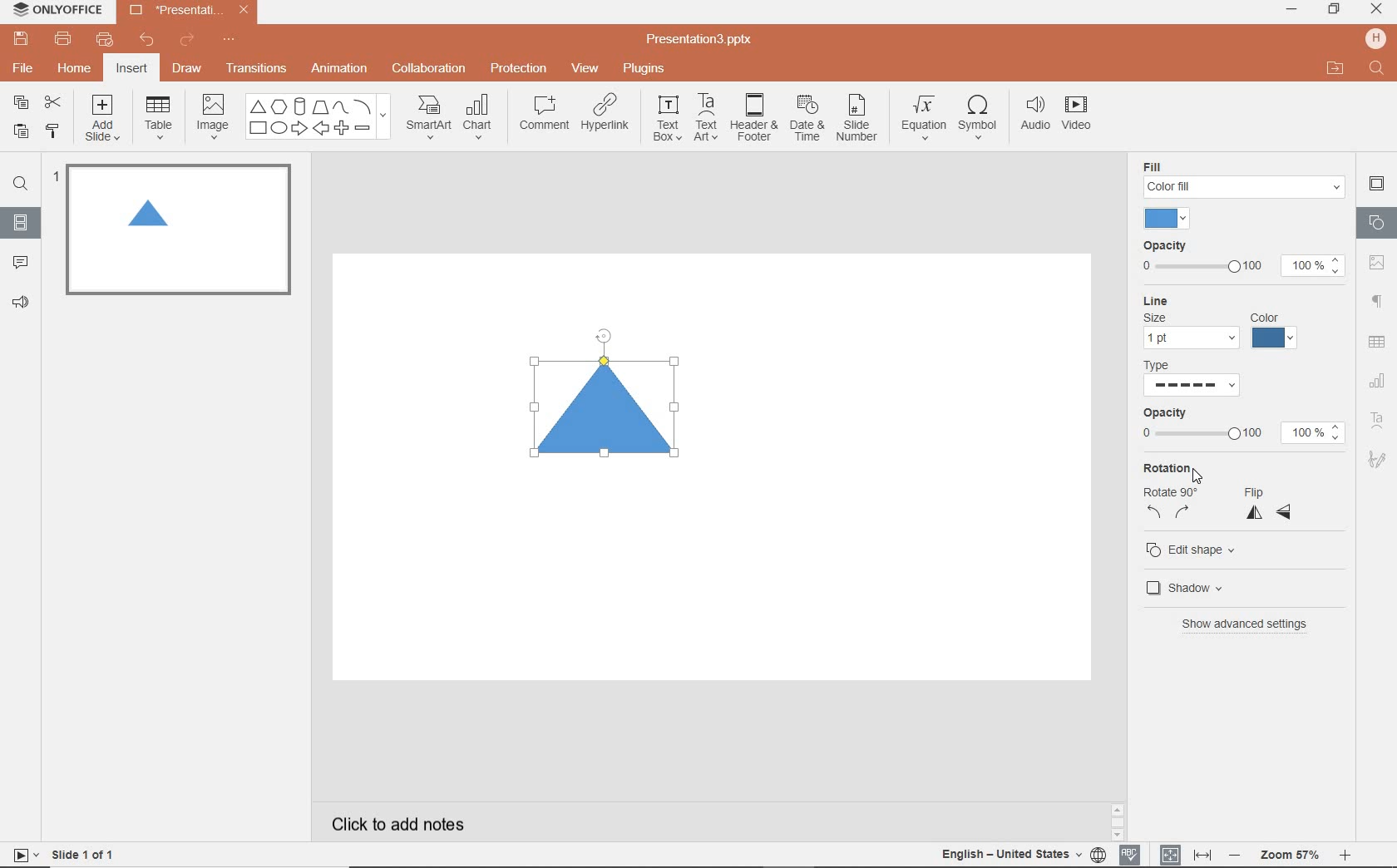 This screenshot has width=1397, height=868. Describe the element at coordinates (159, 118) in the screenshot. I see `TABLE` at that location.